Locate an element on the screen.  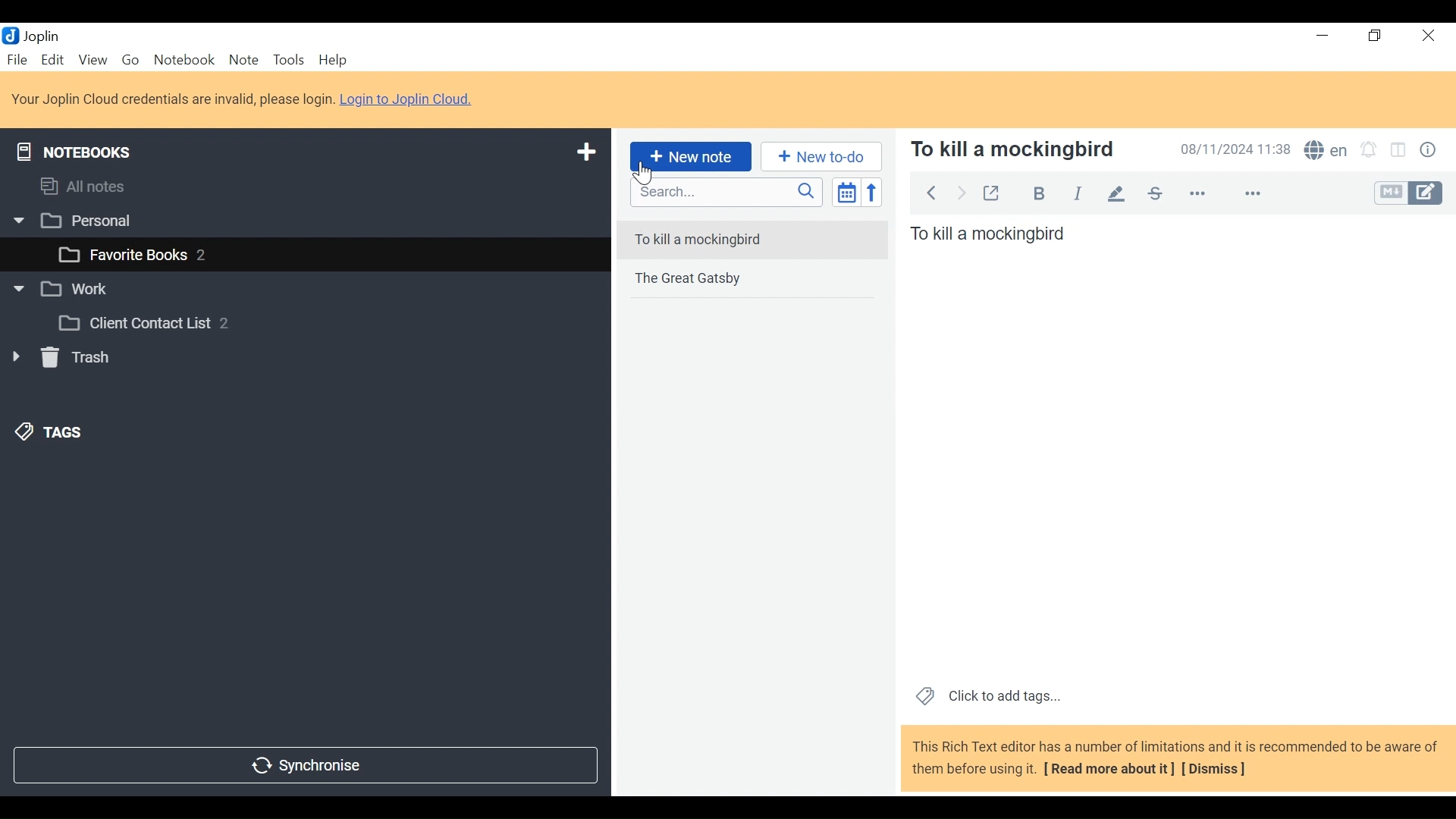
Reverse sort order is located at coordinates (872, 193).